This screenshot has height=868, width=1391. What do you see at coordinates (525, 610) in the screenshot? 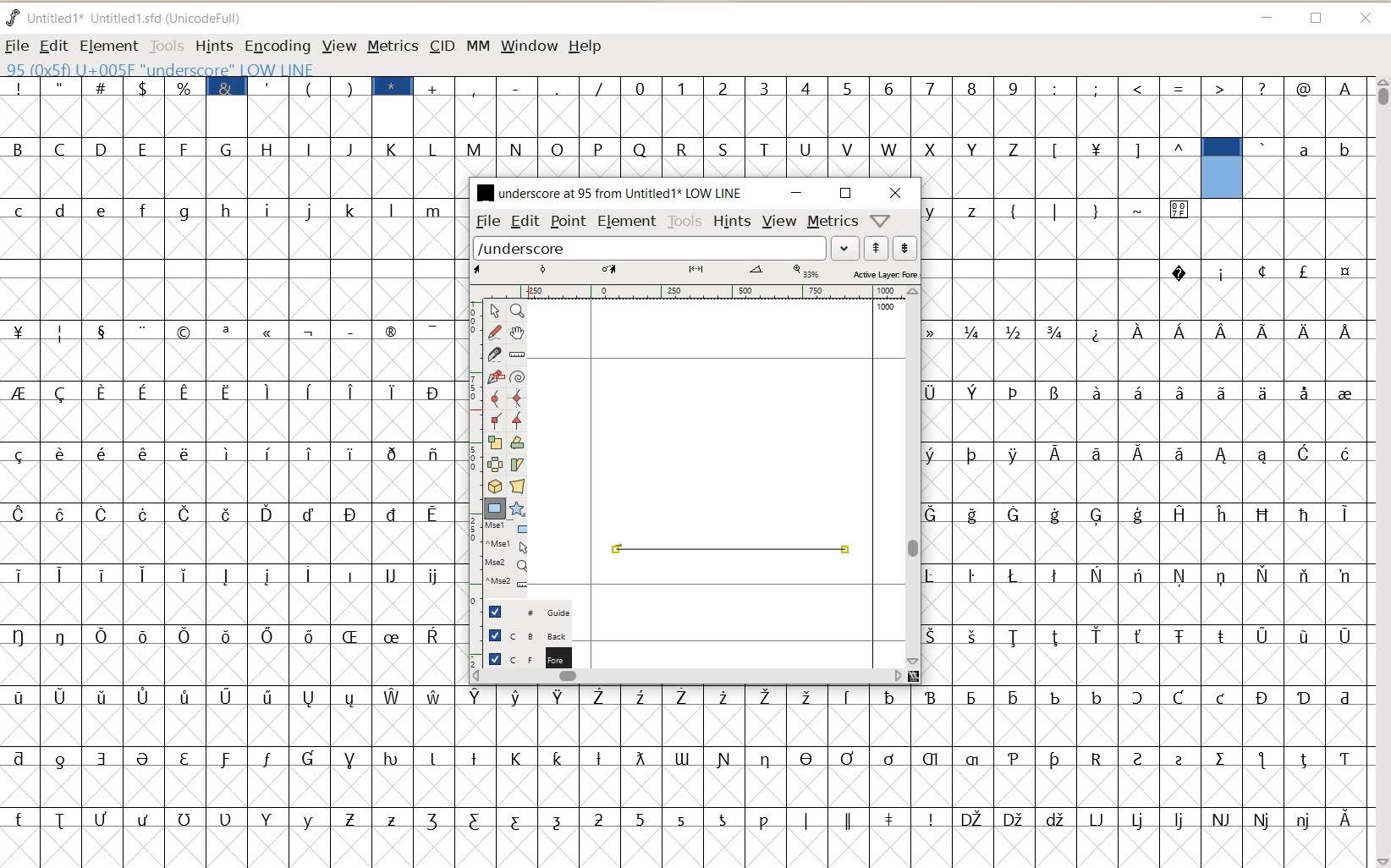
I see `GUIDE` at bounding box center [525, 610].